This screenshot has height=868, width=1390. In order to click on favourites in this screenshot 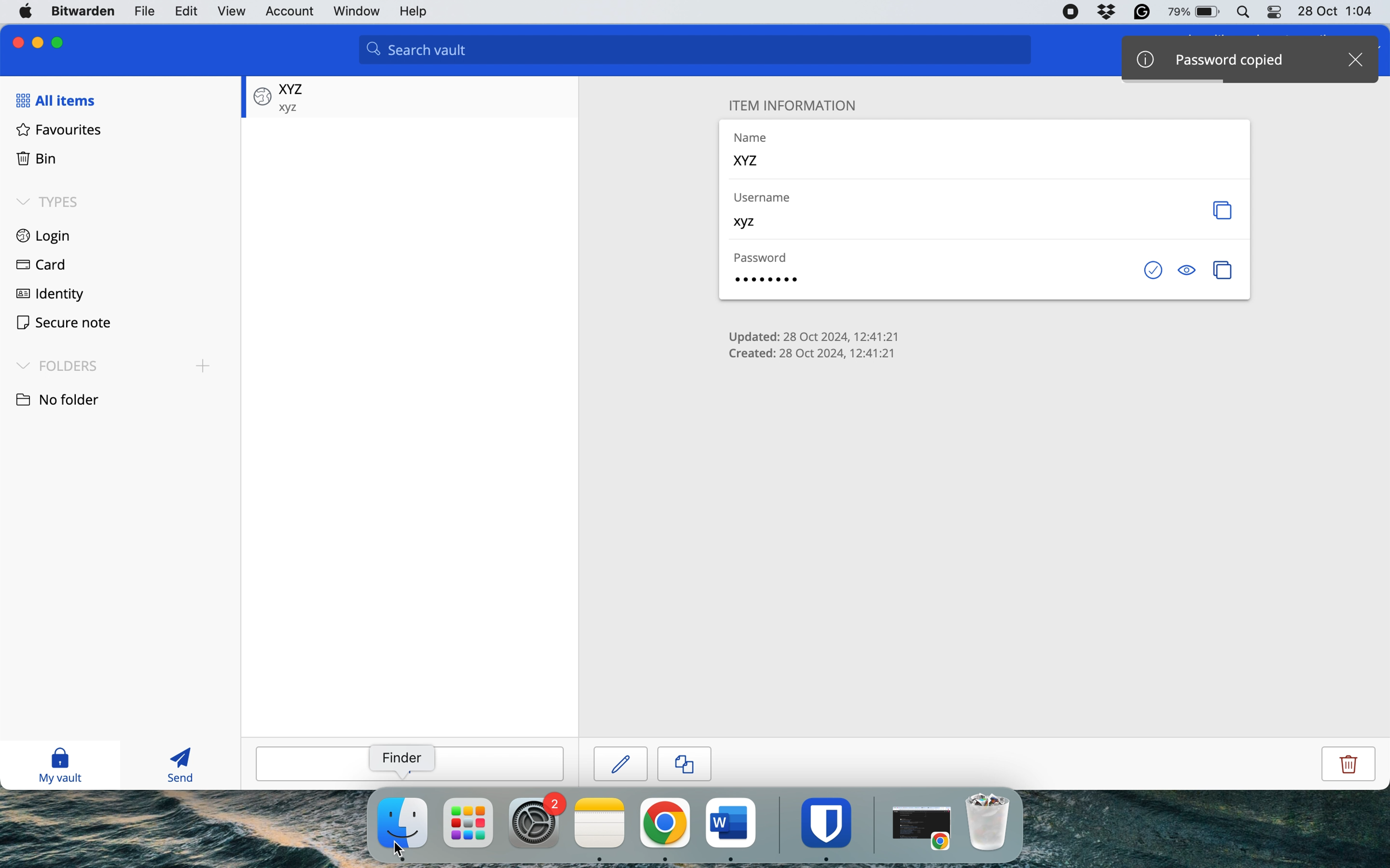, I will do `click(60, 129)`.